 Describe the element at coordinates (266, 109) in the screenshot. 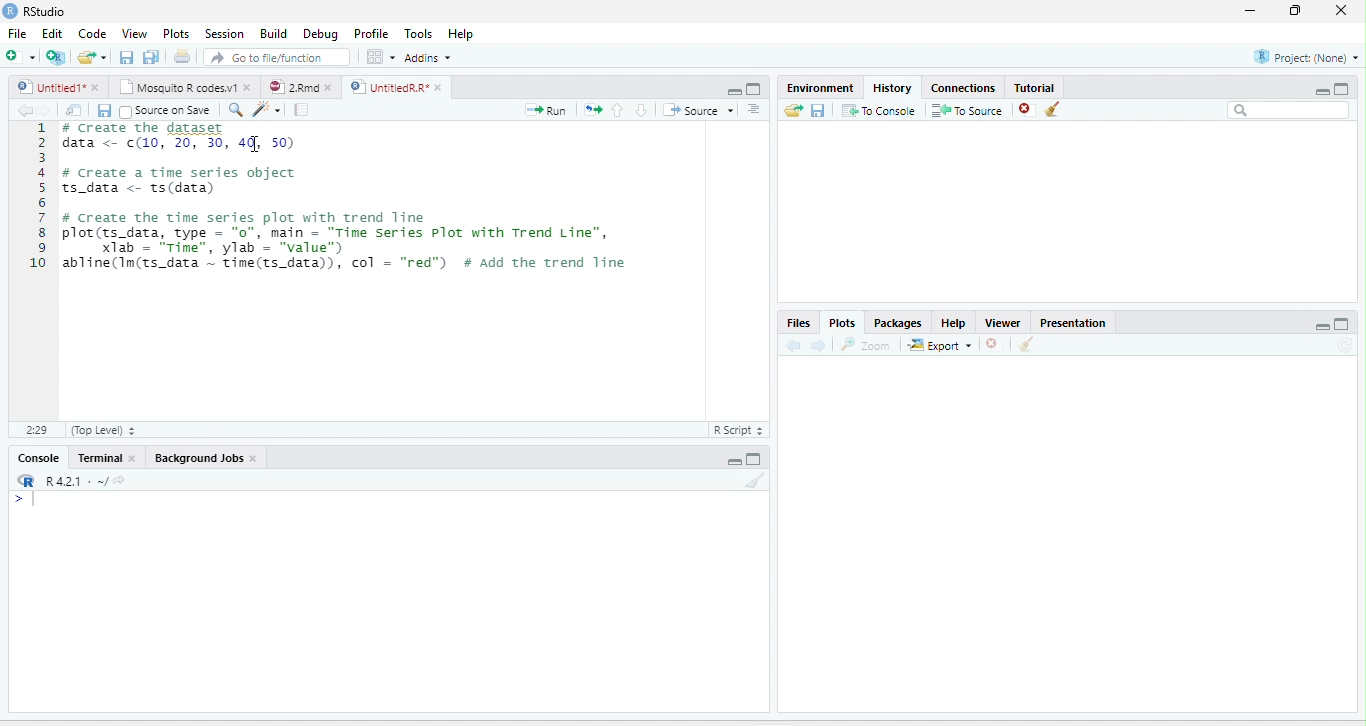

I see `Code tools` at that location.